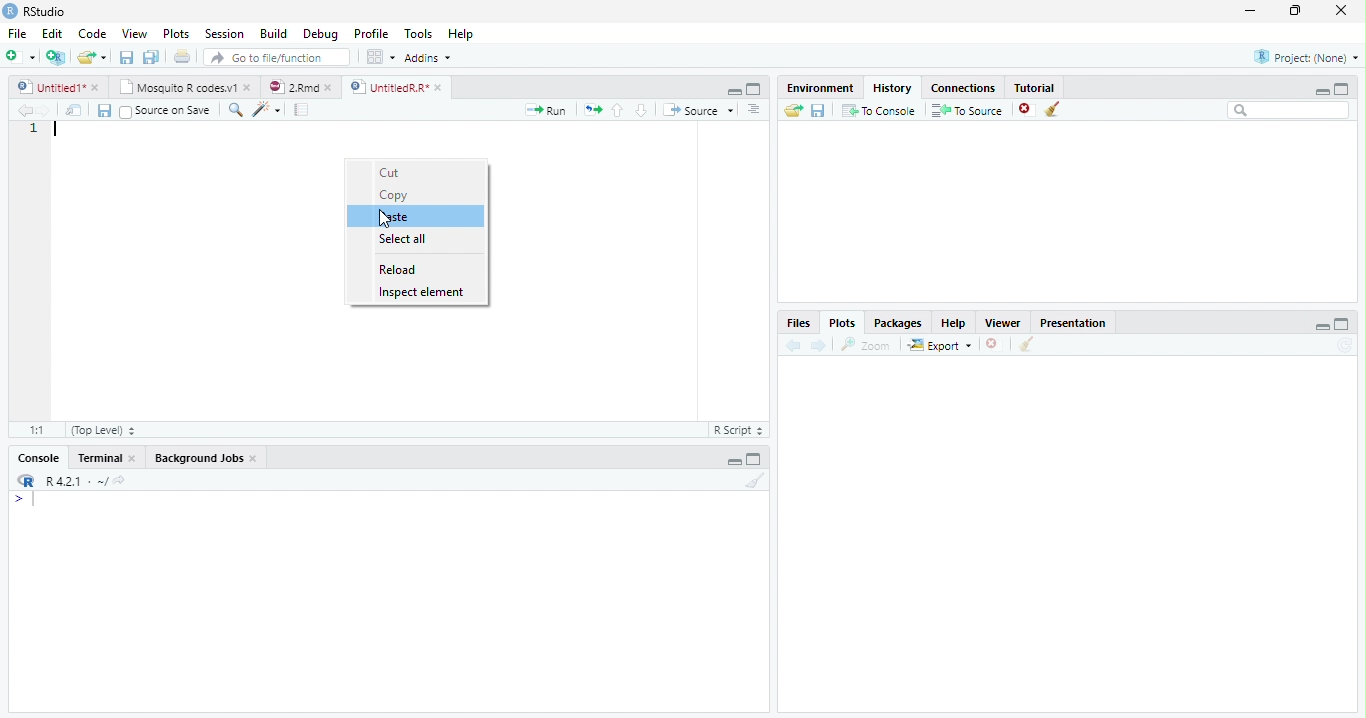  I want to click on Debug, so click(321, 33).